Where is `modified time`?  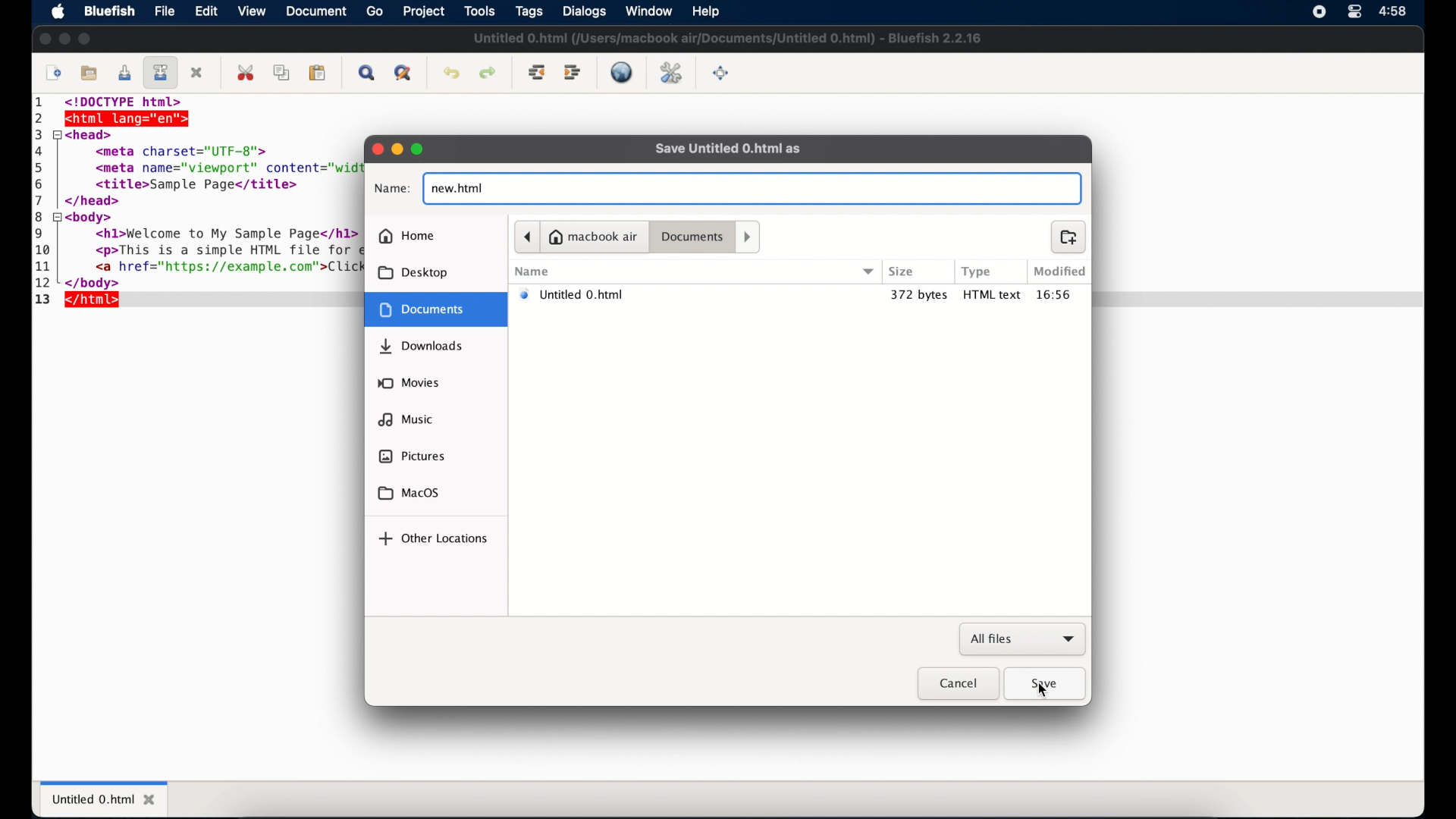
modified time is located at coordinates (1061, 294).